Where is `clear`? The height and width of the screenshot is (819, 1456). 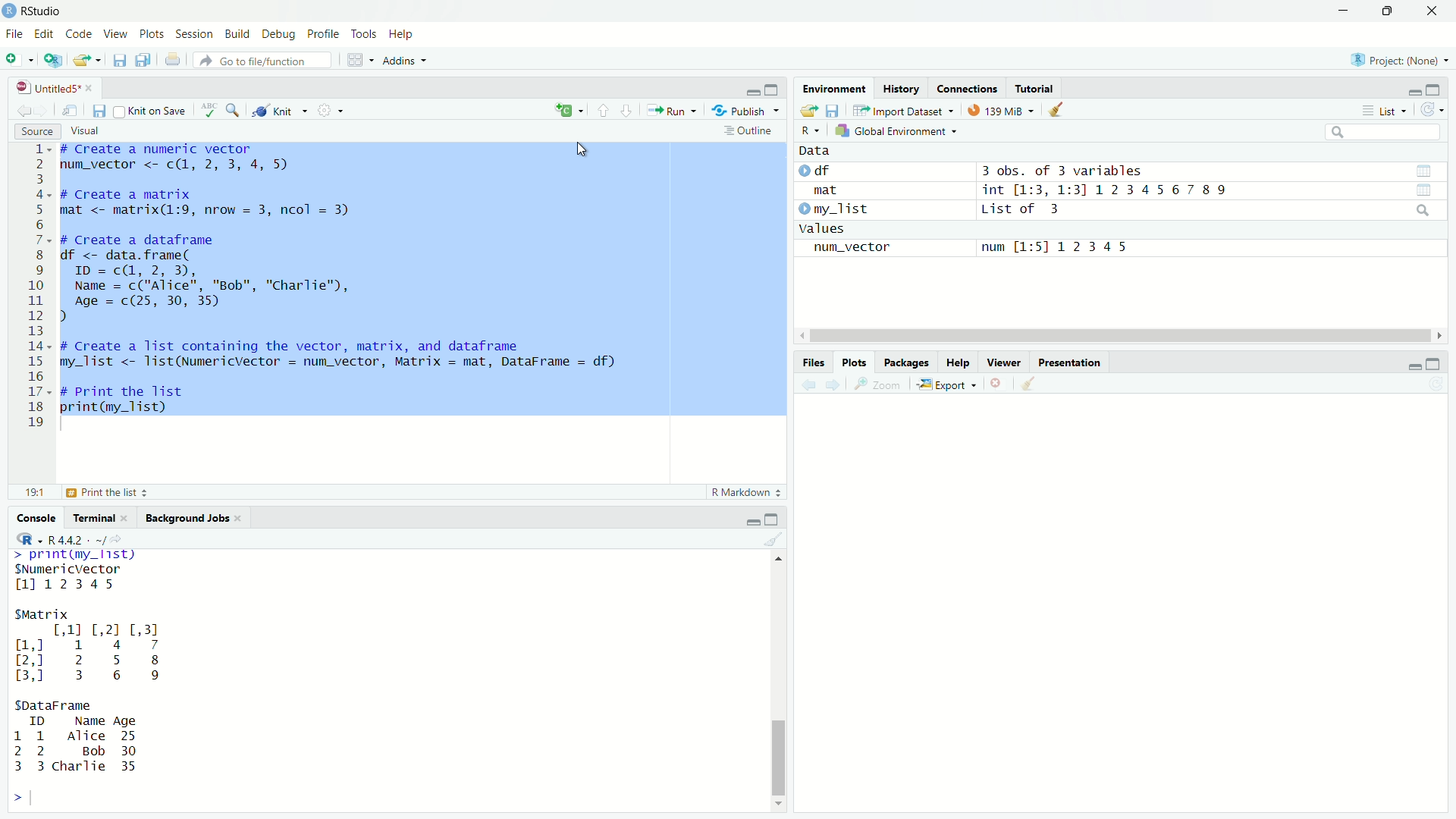 clear is located at coordinates (1059, 111).